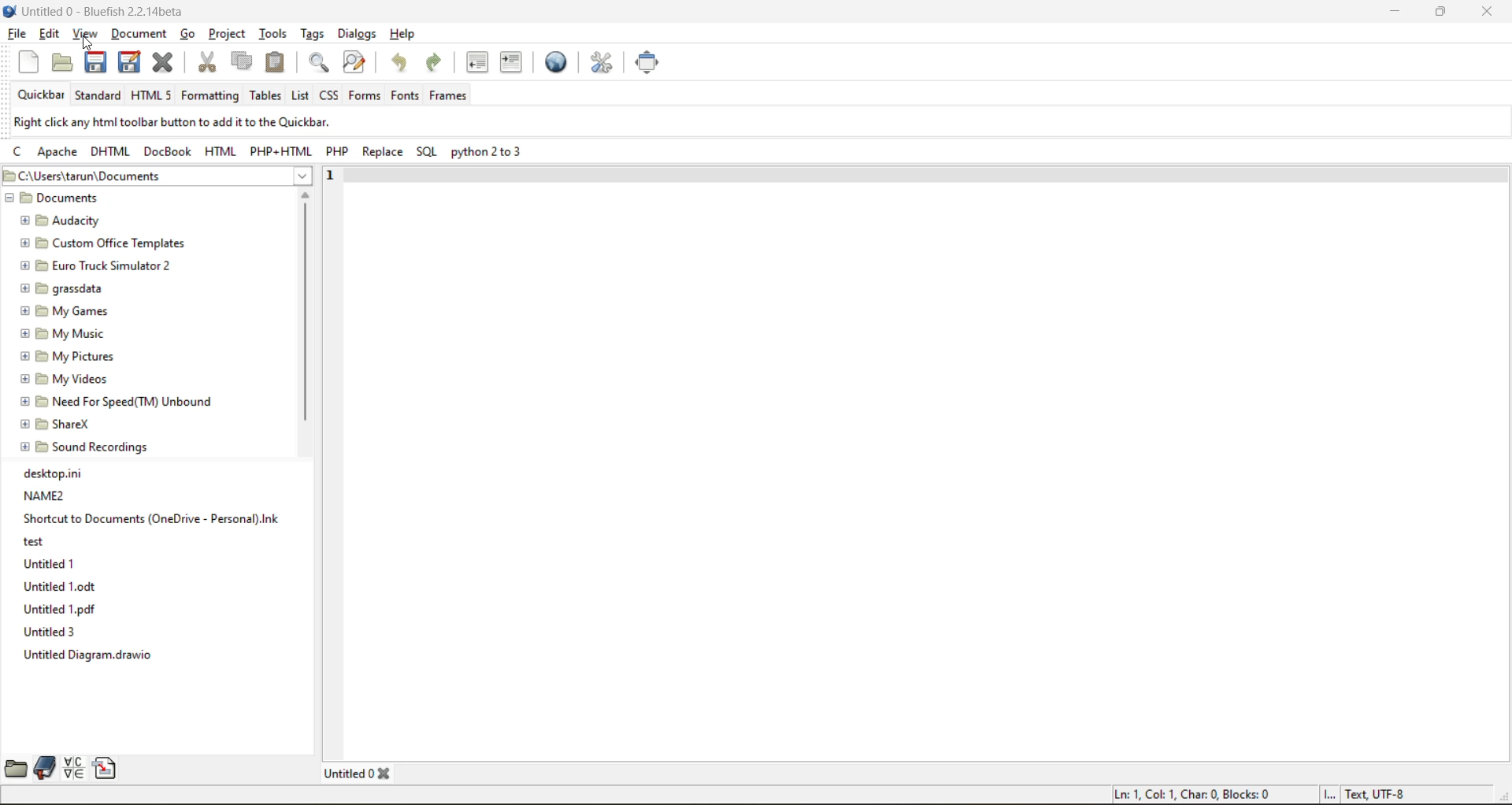 This screenshot has width=1512, height=805. Describe the element at coordinates (364, 96) in the screenshot. I see `forms` at that location.